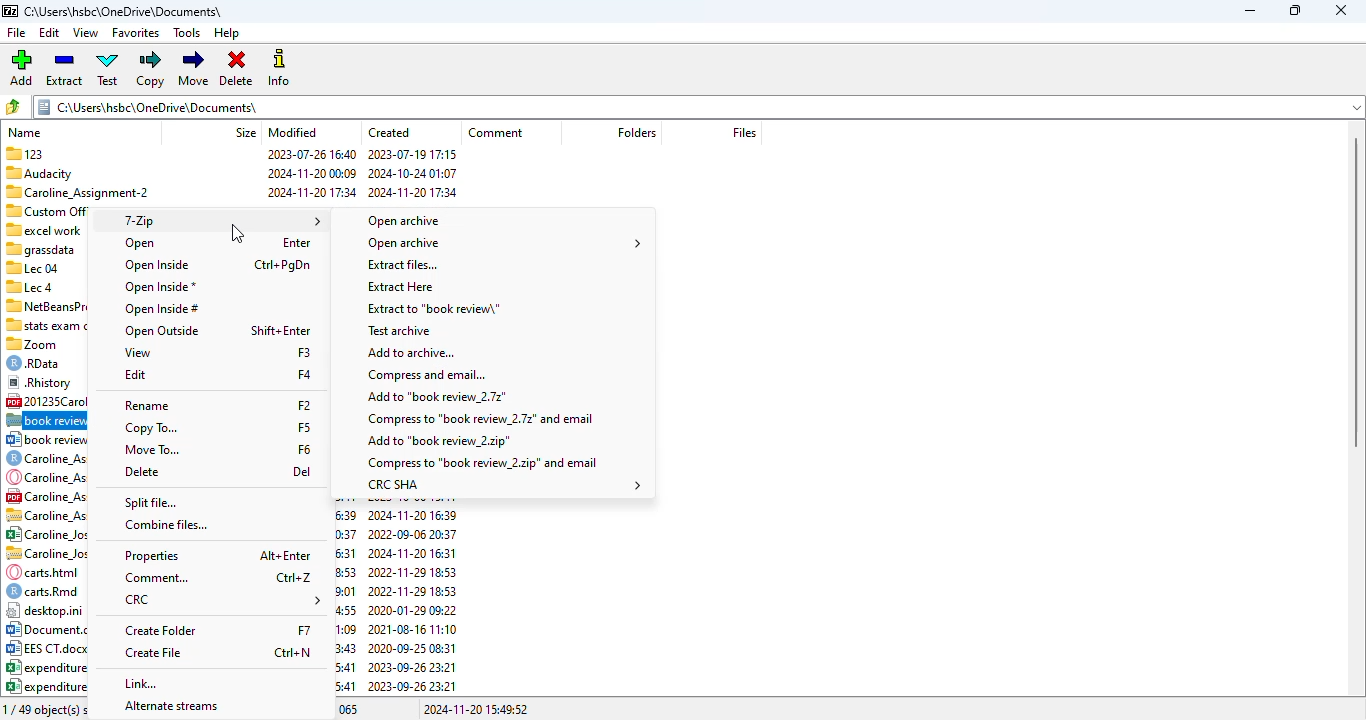 This screenshot has height=720, width=1366. I want to click on files, so click(744, 133).